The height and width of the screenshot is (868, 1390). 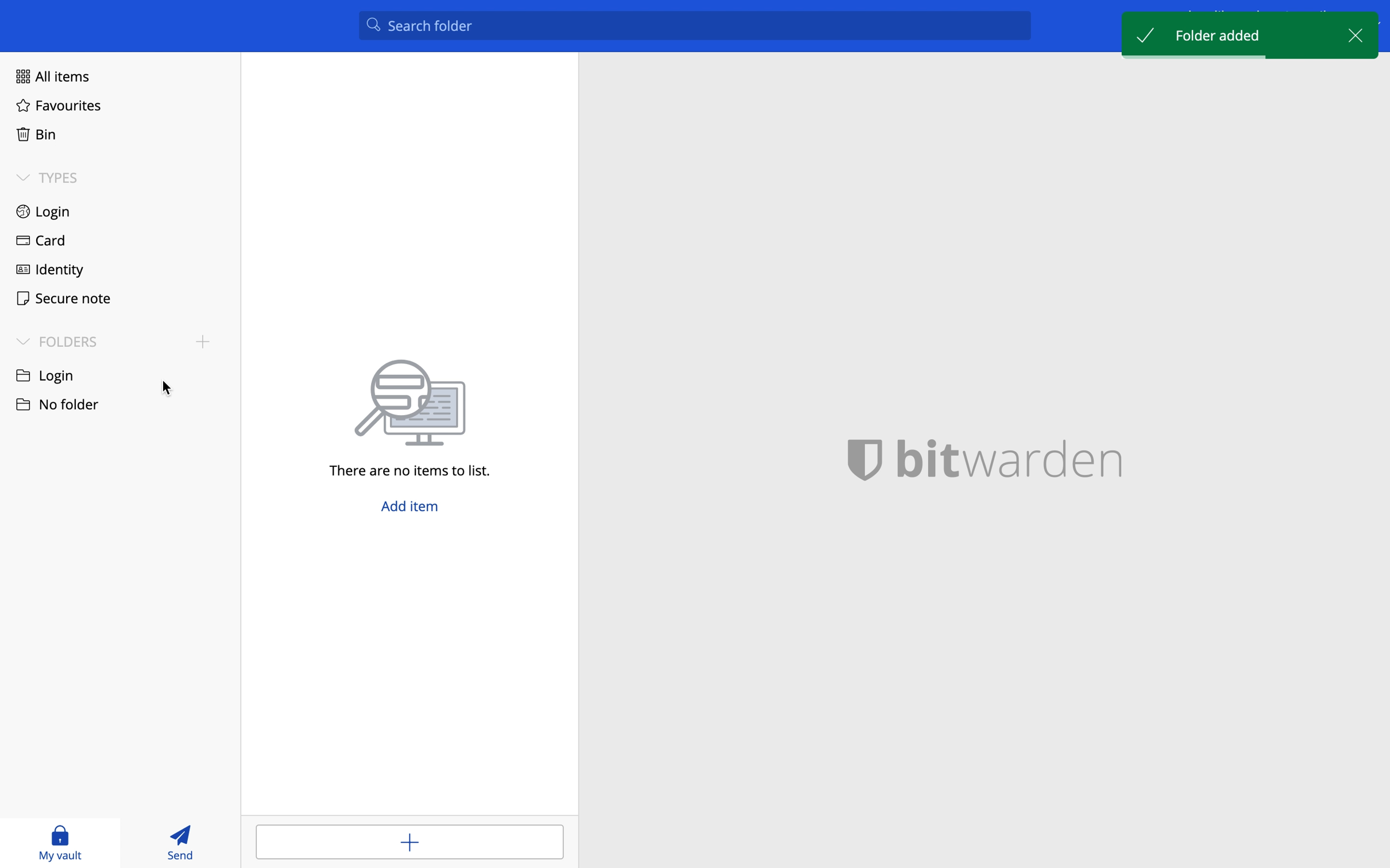 I want to click on bitwarden, so click(x=999, y=457).